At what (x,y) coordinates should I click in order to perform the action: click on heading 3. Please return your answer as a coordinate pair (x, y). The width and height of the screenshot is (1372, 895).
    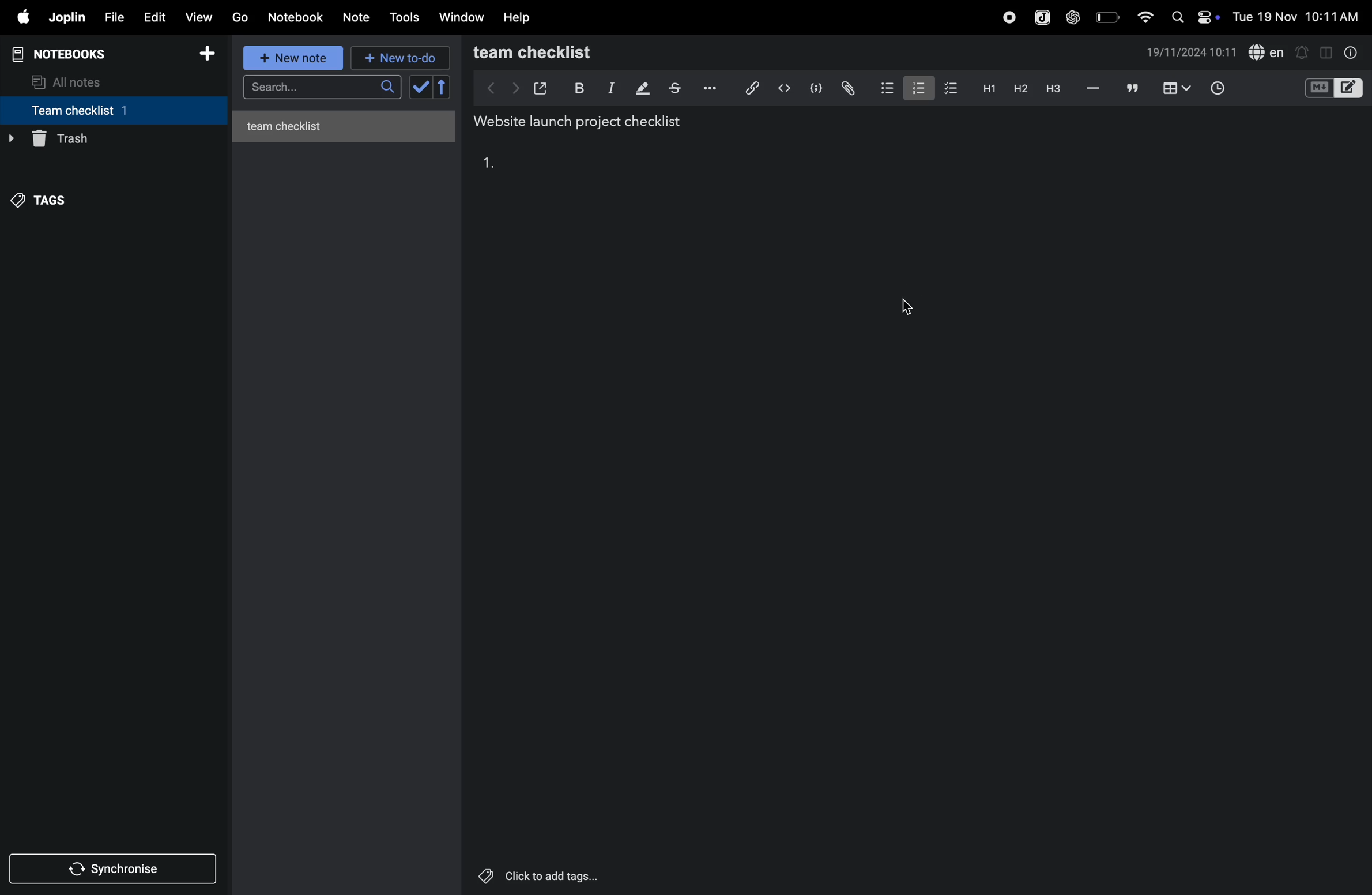
    Looking at the image, I should click on (1053, 88).